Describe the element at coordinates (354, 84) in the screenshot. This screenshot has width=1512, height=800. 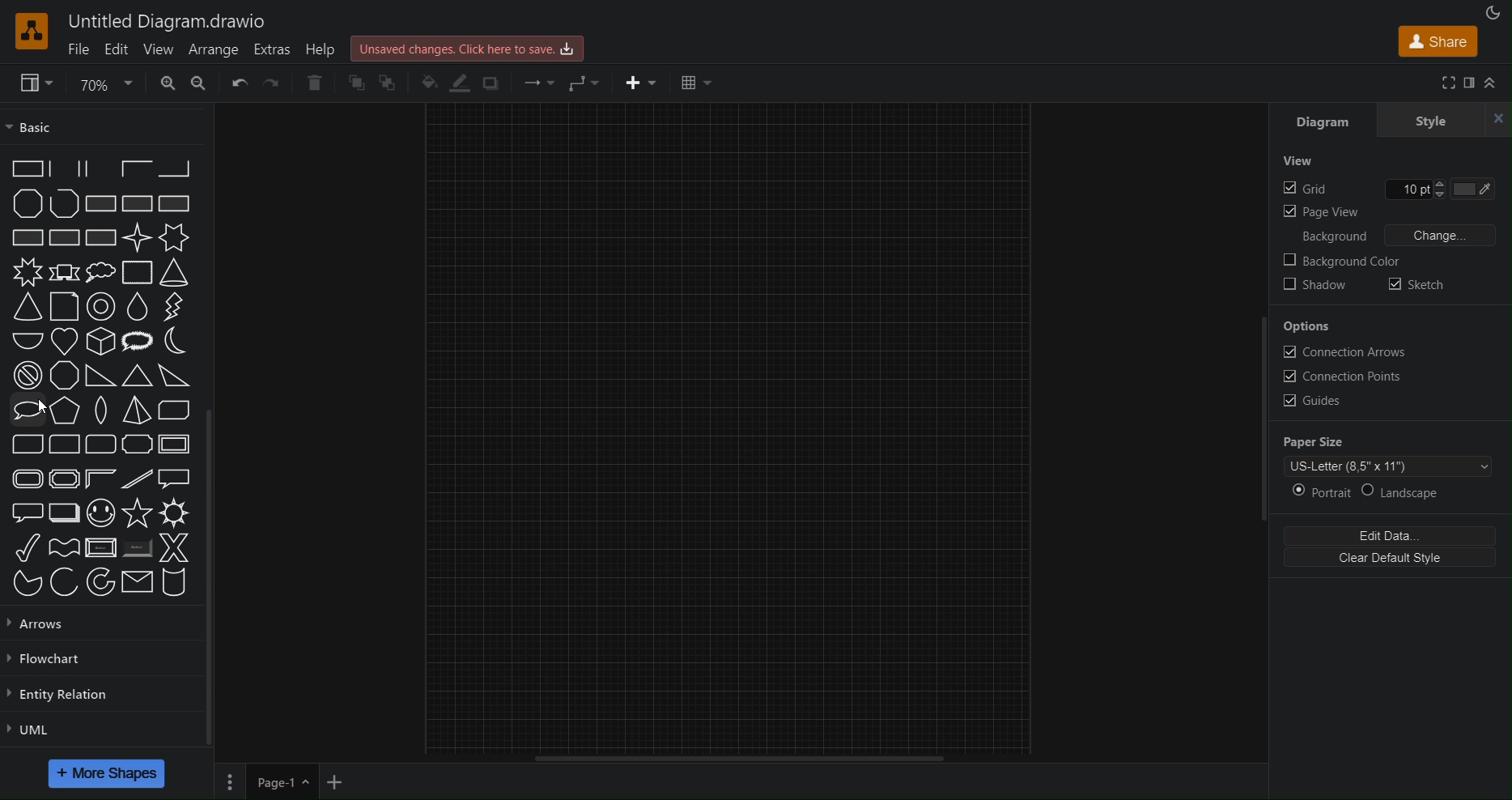
I see `Bring Forward` at that location.